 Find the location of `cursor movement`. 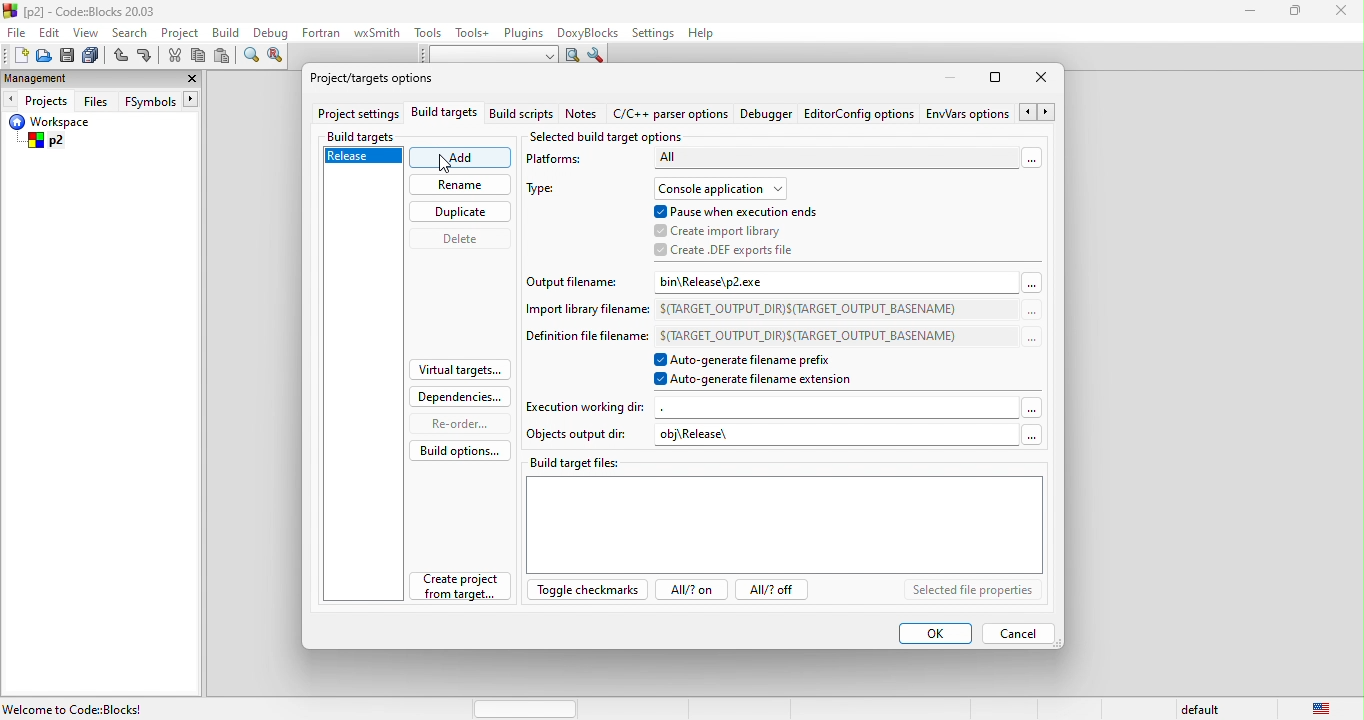

cursor movement is located at coordinates (446, 161).